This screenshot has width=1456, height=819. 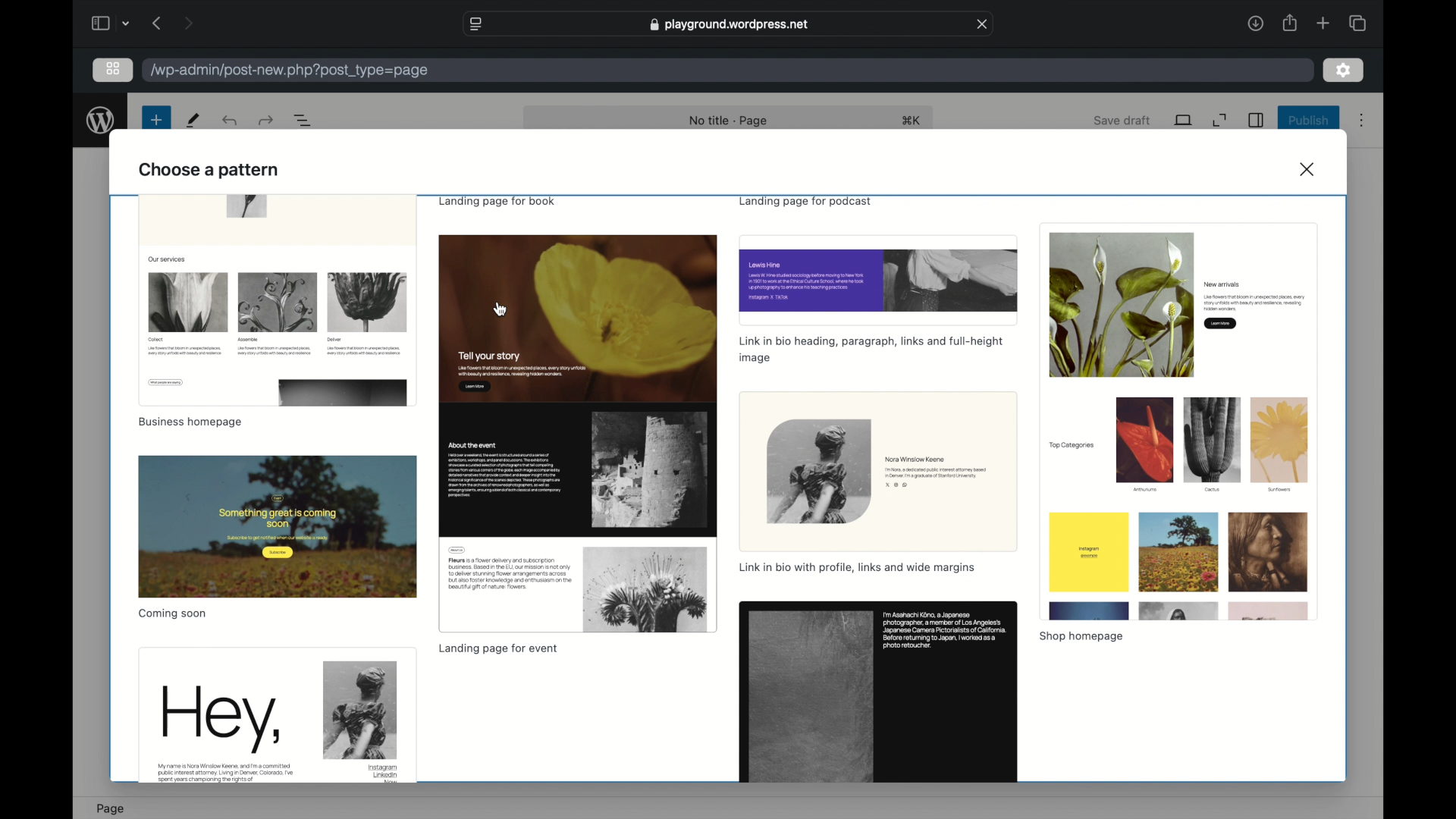 I want to click on shortcut, so click(x=912, y=121).